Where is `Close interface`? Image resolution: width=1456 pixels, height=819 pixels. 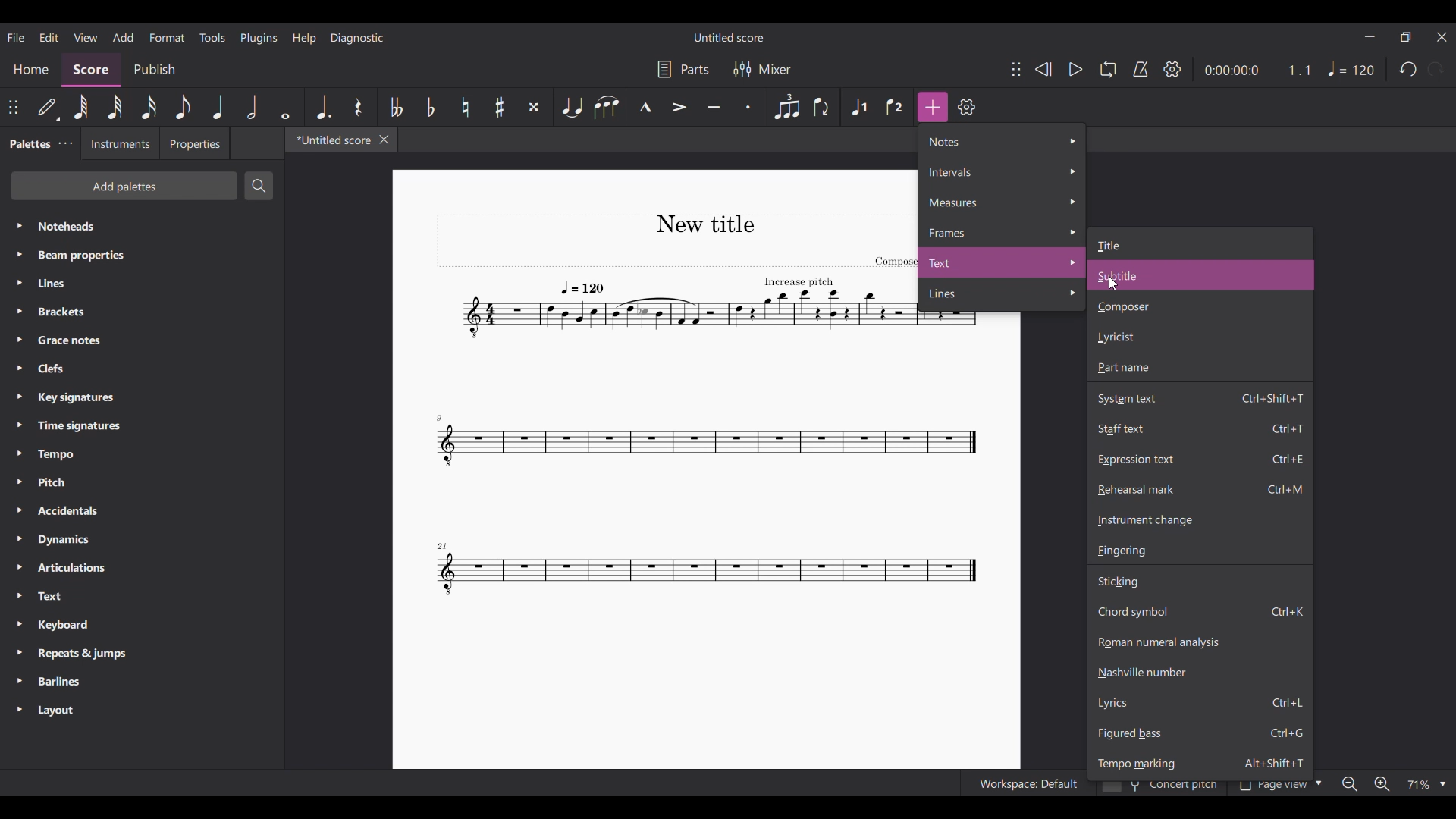
Close interface is located at coordinates (1442, 38).